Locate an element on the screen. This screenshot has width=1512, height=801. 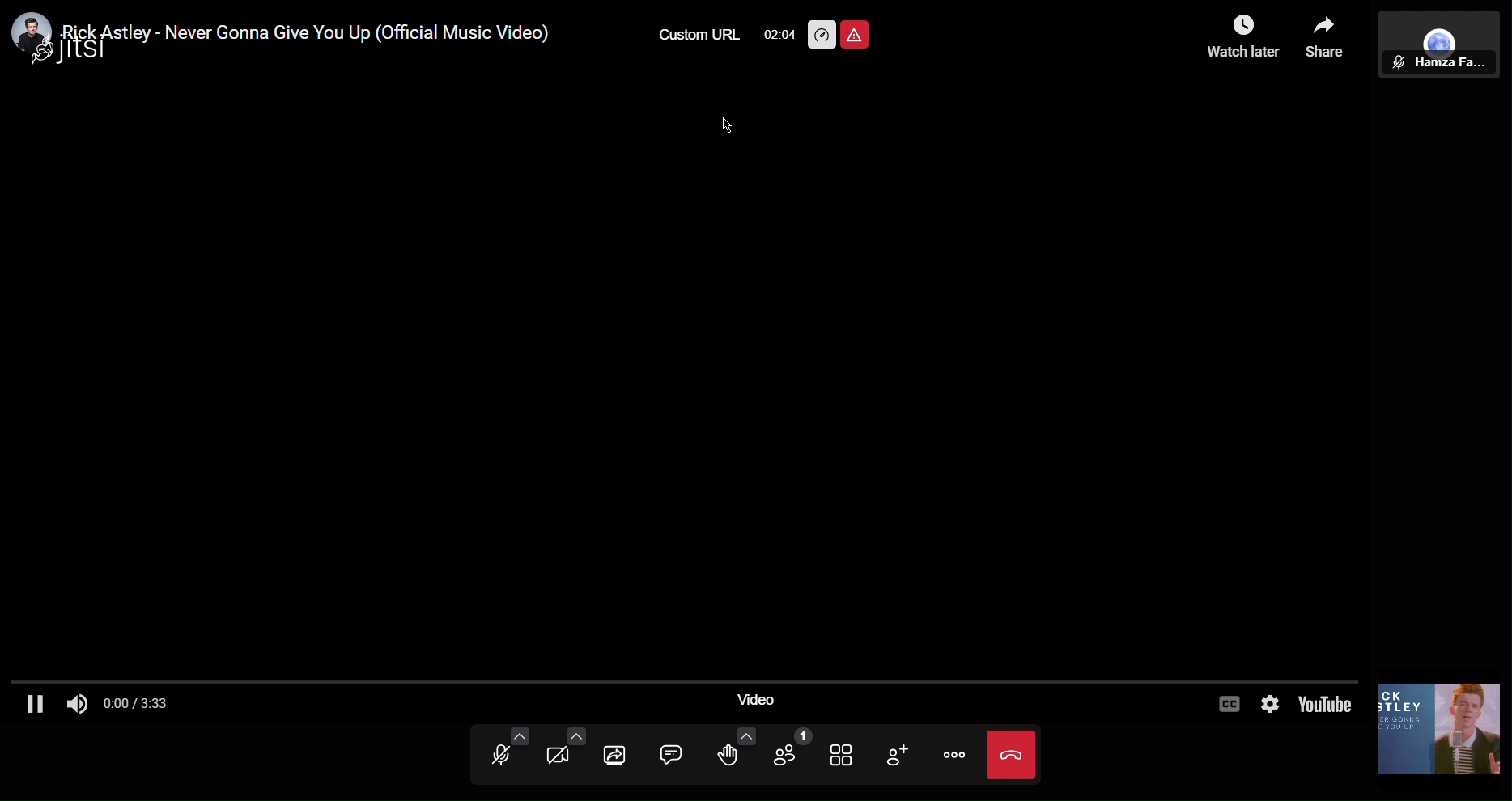
Share Screen is located at coordinates (617, 755).